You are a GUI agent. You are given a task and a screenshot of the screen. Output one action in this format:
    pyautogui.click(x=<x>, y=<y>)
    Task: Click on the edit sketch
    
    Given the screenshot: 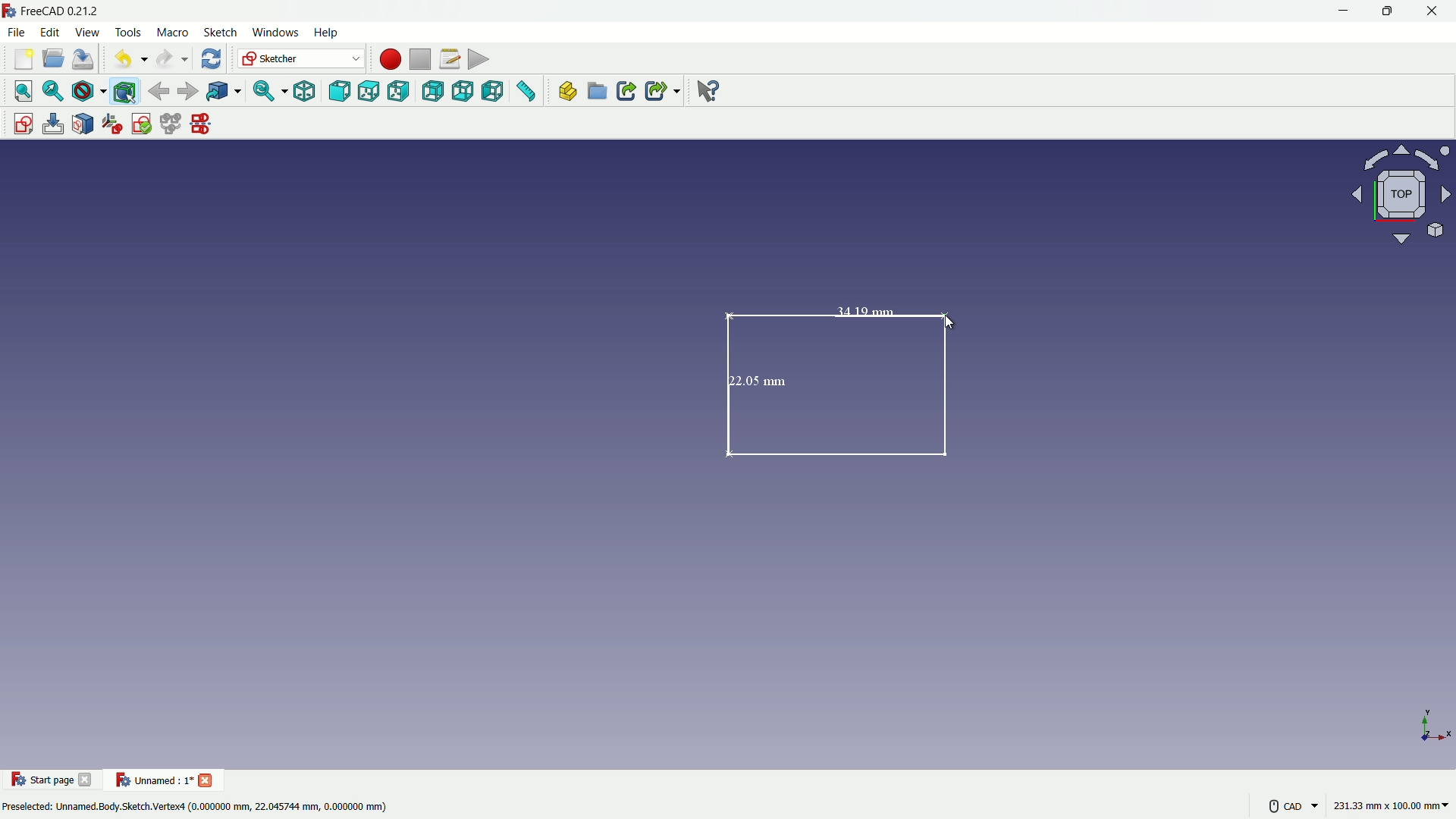 What is the action you would take?
    pyautogui.click(x=52, y=124)
    